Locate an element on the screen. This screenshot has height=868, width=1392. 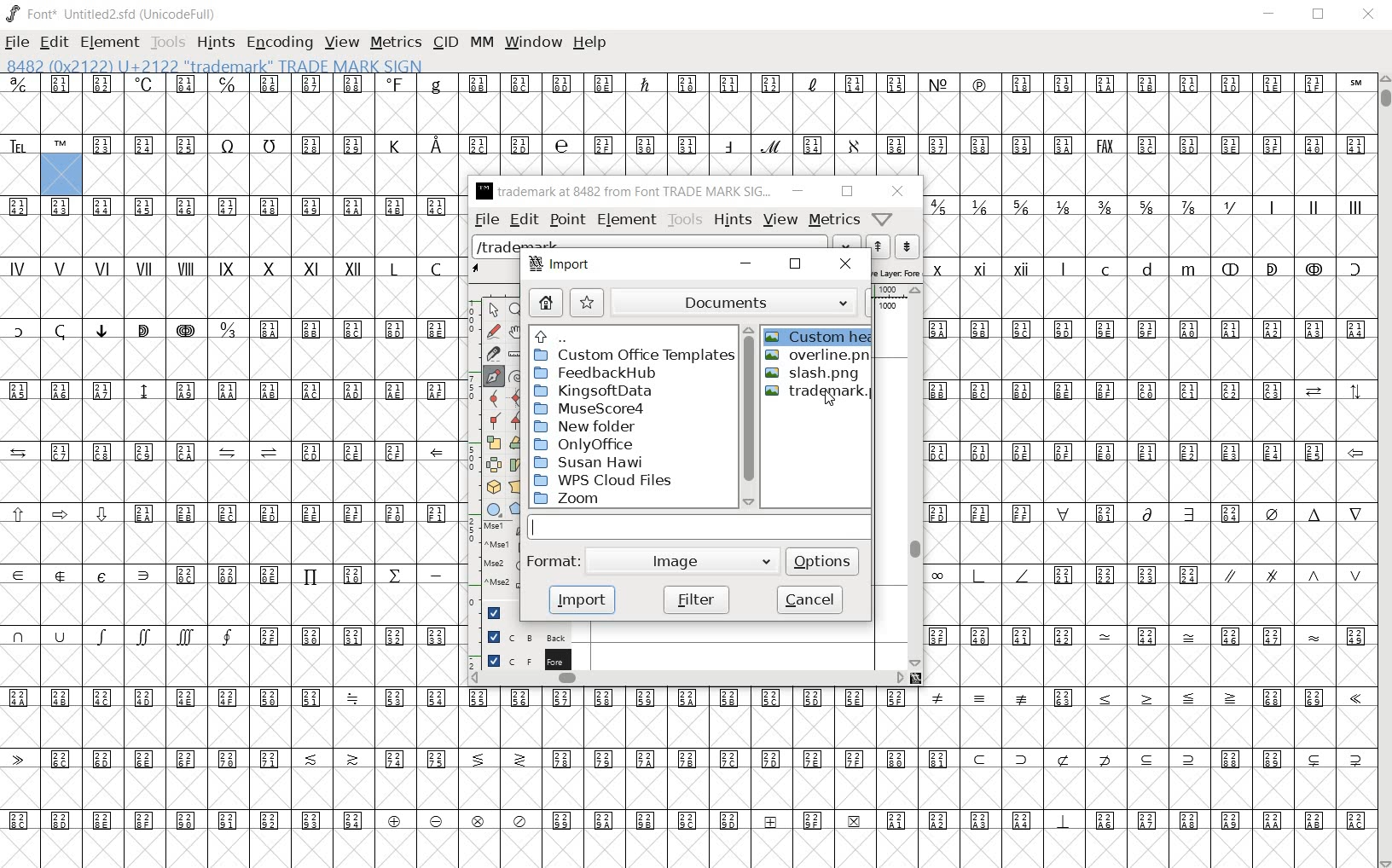
close is located at coordinates (896, 190).